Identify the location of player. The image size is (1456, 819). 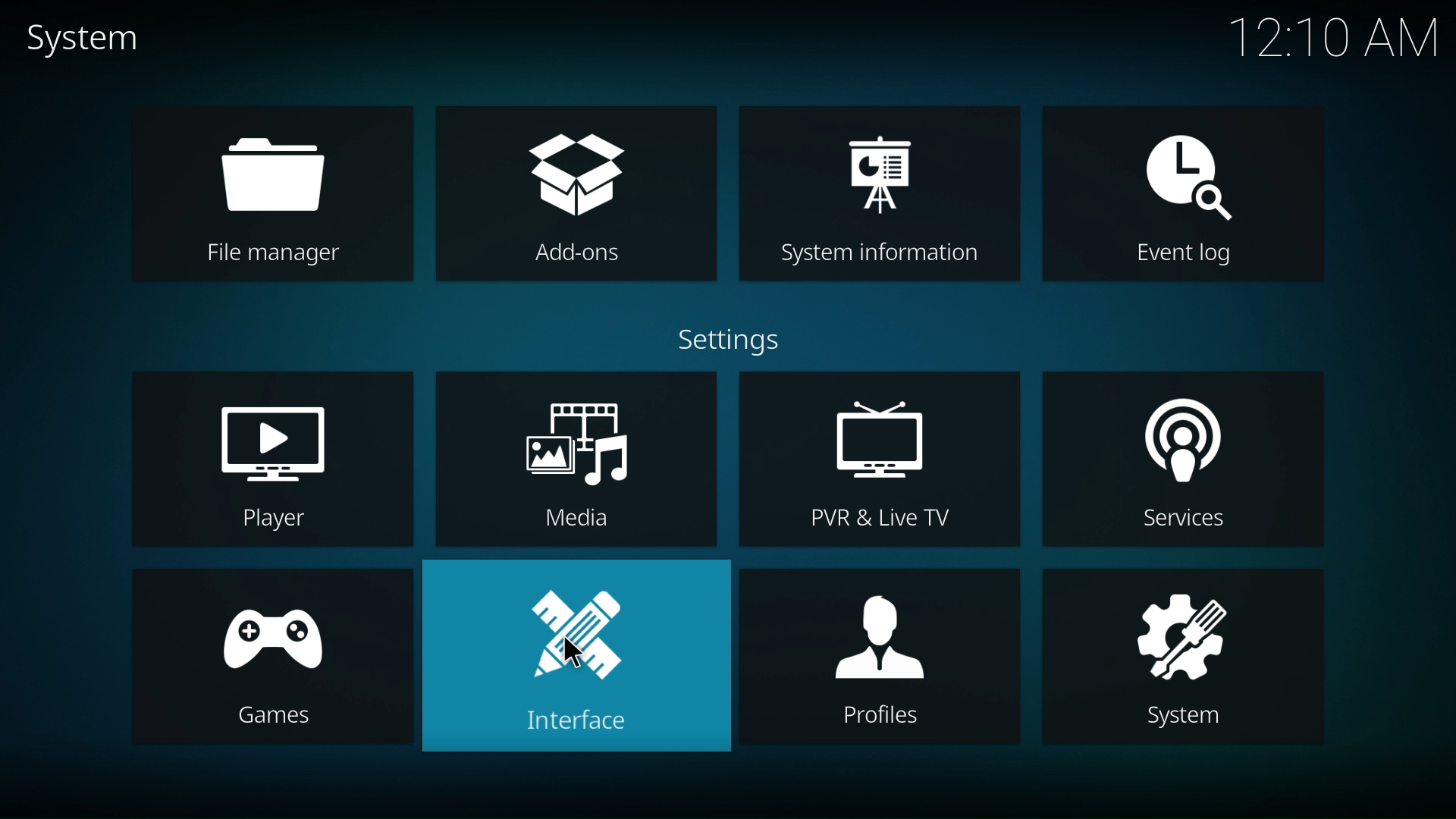
(269, 457).